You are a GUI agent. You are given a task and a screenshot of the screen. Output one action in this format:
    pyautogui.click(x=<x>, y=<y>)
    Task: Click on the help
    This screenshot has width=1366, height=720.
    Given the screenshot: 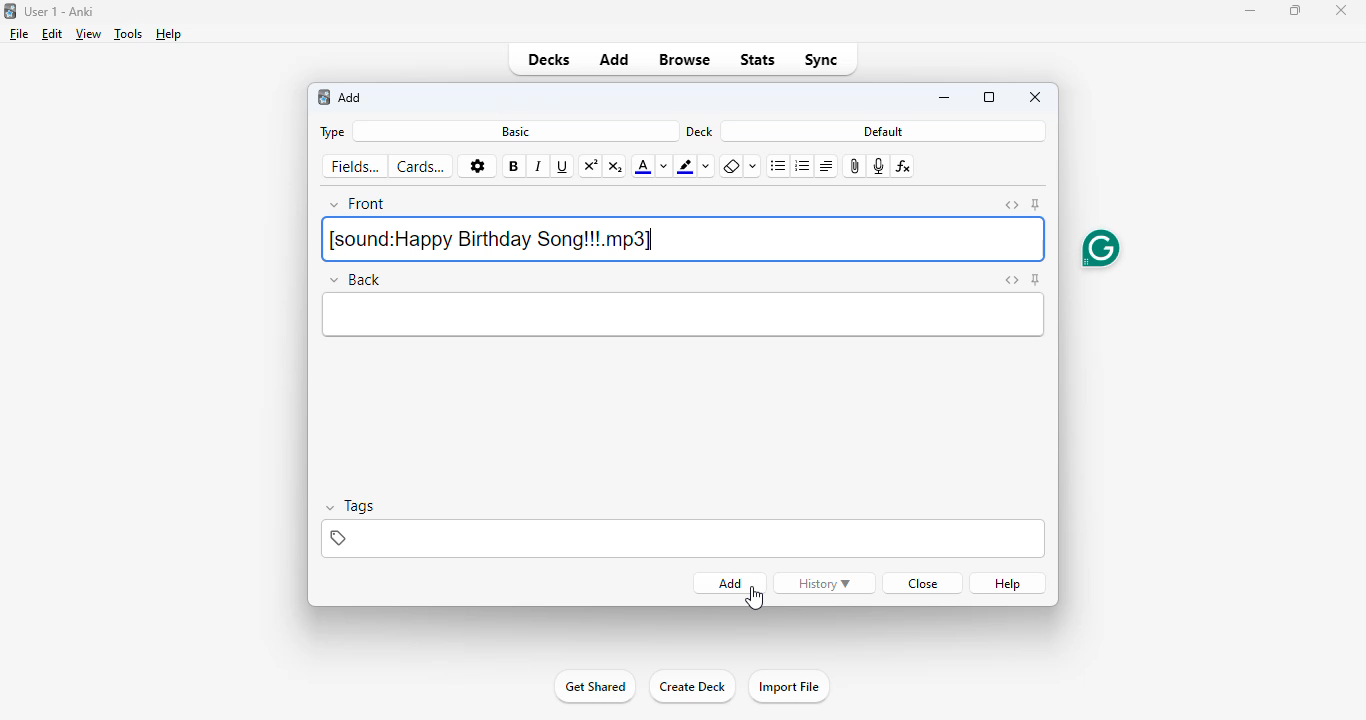 What is the action you would take?
    pyautogui.click(x=169, y=34)
    